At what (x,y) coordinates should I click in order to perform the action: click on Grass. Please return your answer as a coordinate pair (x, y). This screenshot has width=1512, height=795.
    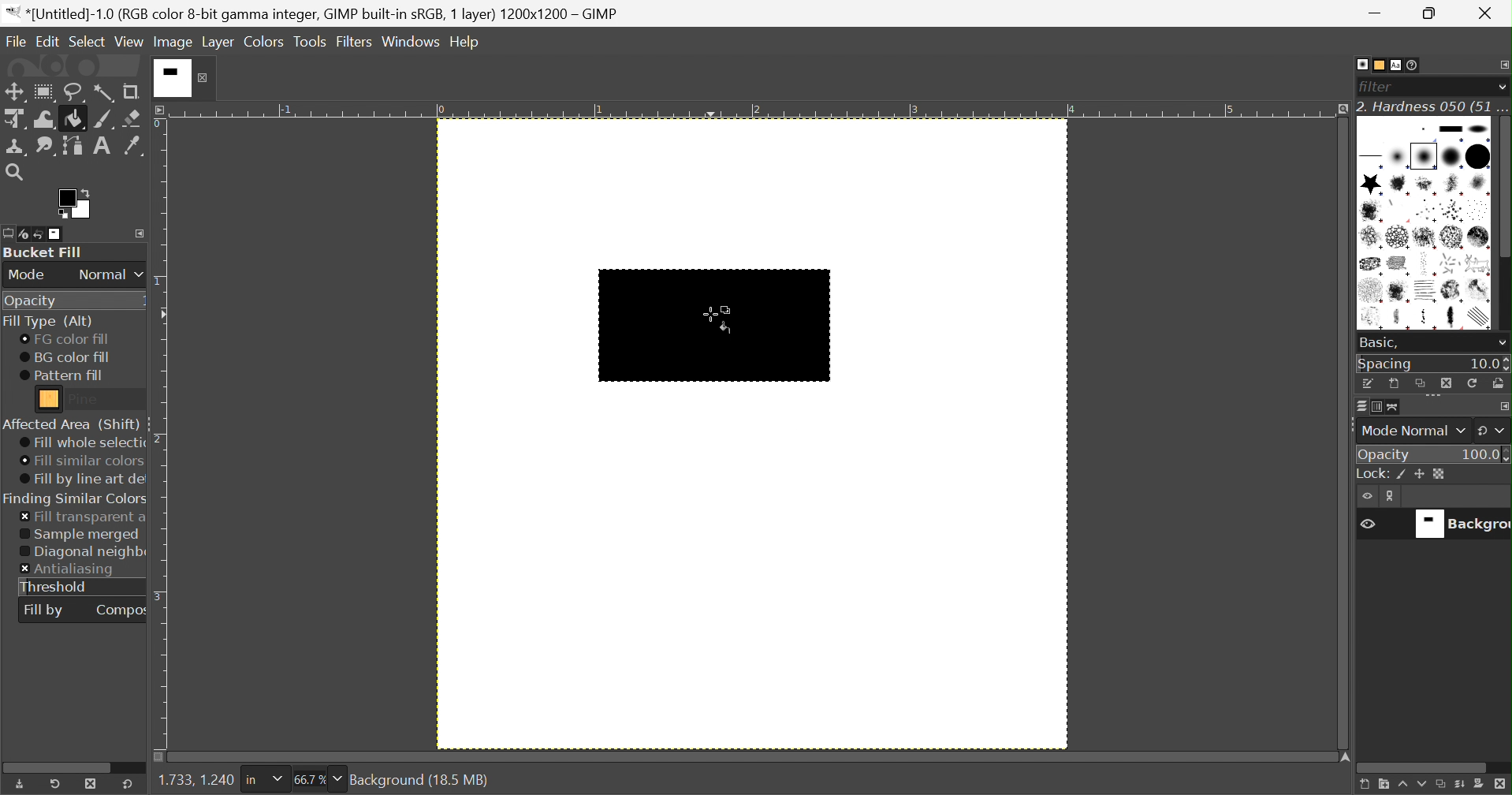
    Looking at the image, I should click on (1370, 291).